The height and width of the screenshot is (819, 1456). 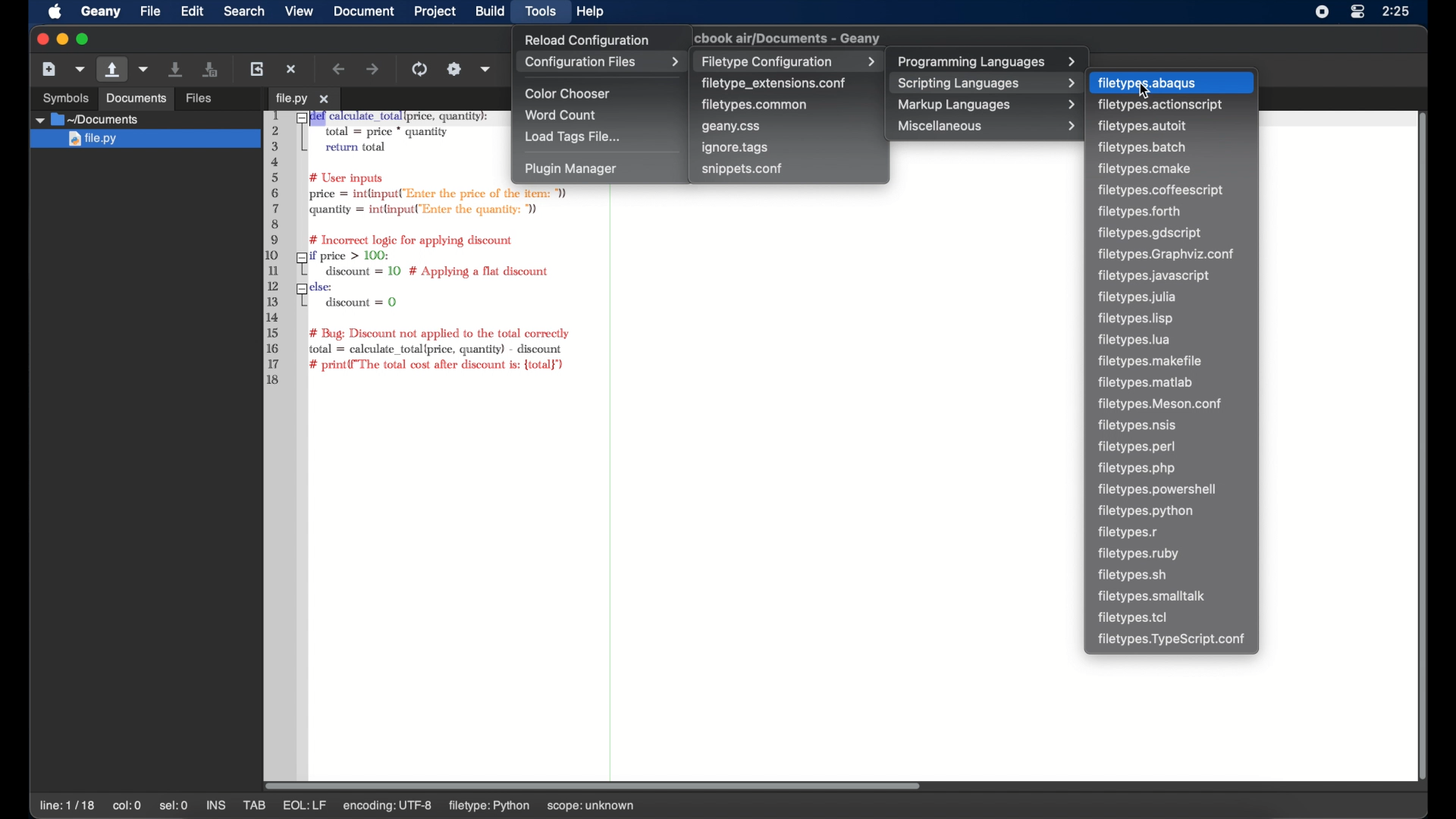 What do you see at coordinates (1323, 11) in the screenshot?
I see `screen recorder icon` at bounding box center [1323, 11].